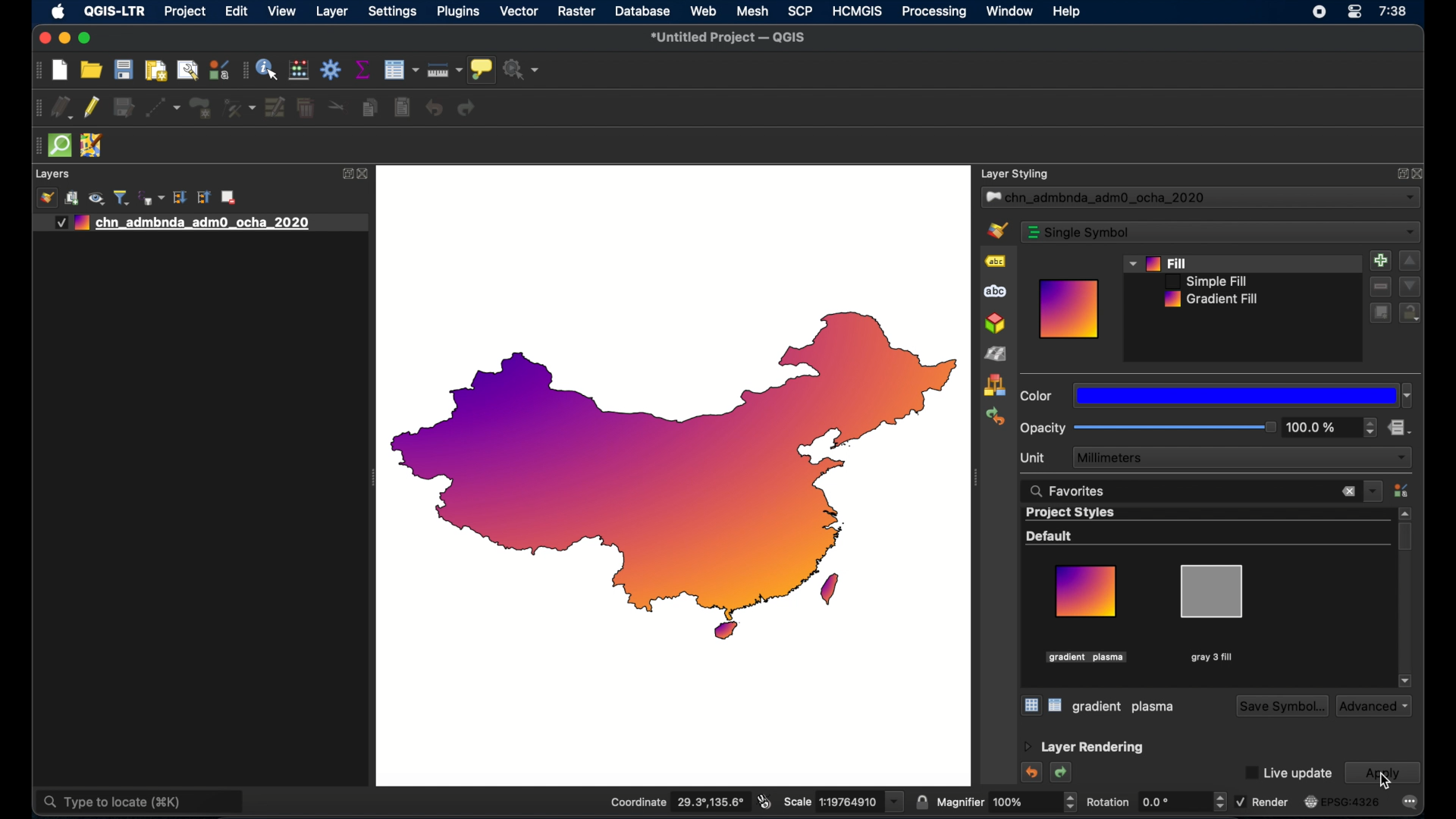 Image resolution: width=1456 pixels, height=819 pixels. Describe the element at coordinates (228, 197) in the screenshot. I see `remove layer group` at that location.